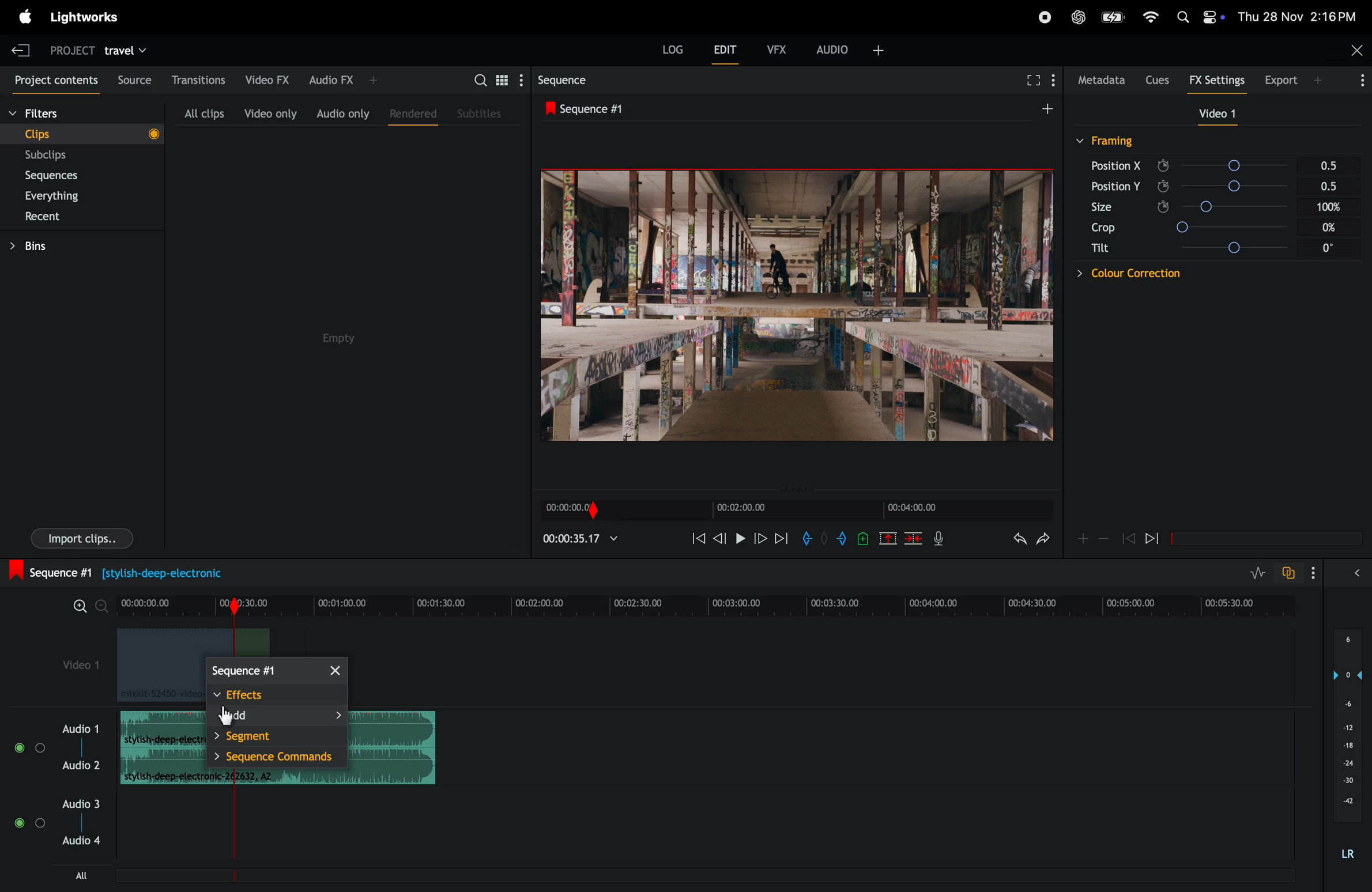 Image resolution: width=1372 pixels, height=892 pixels. Describe the element at coordinates (1107, 140) in the screenshot. I see `framing` at that location.